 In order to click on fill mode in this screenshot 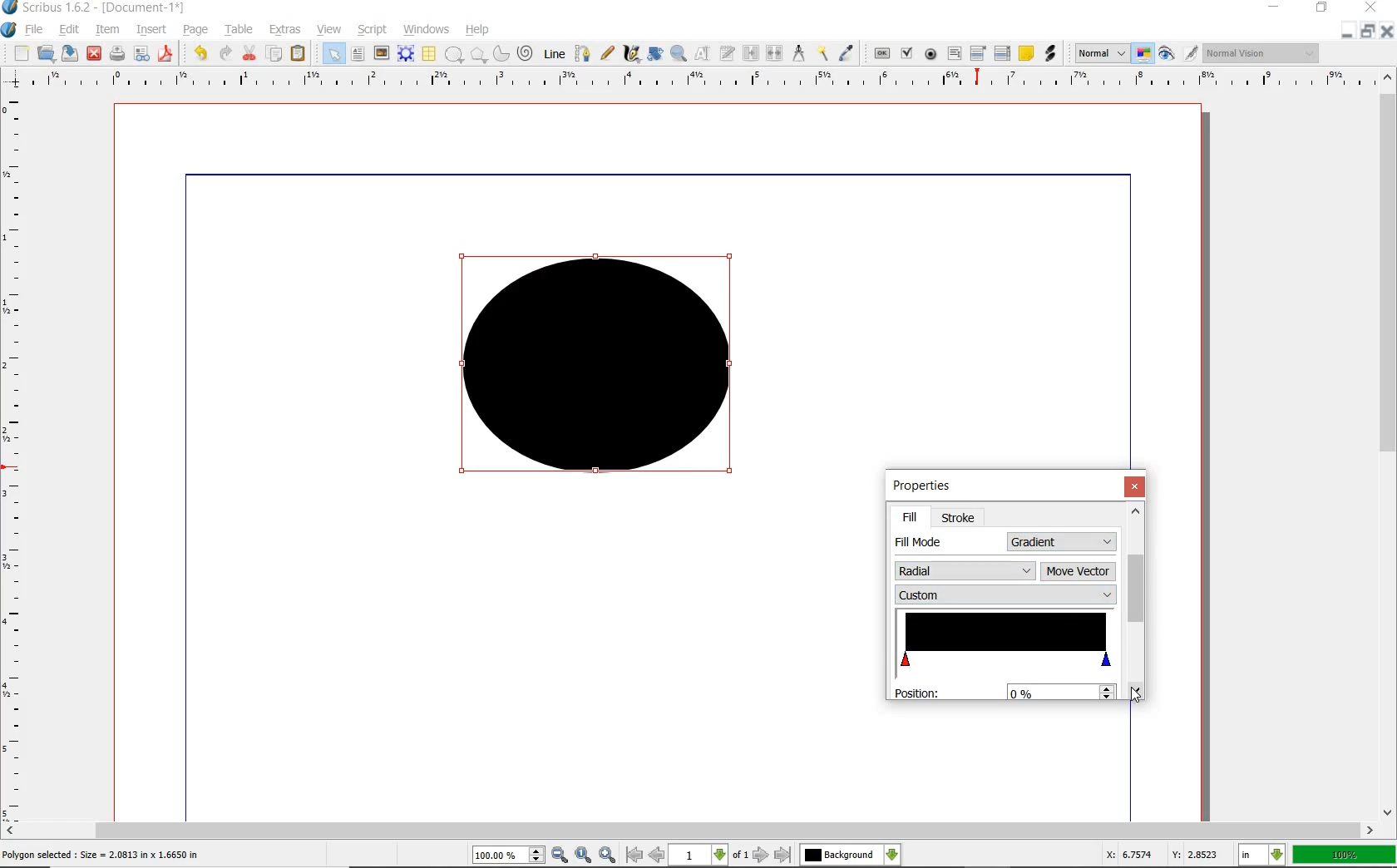, I will do `click(916, 542)`.